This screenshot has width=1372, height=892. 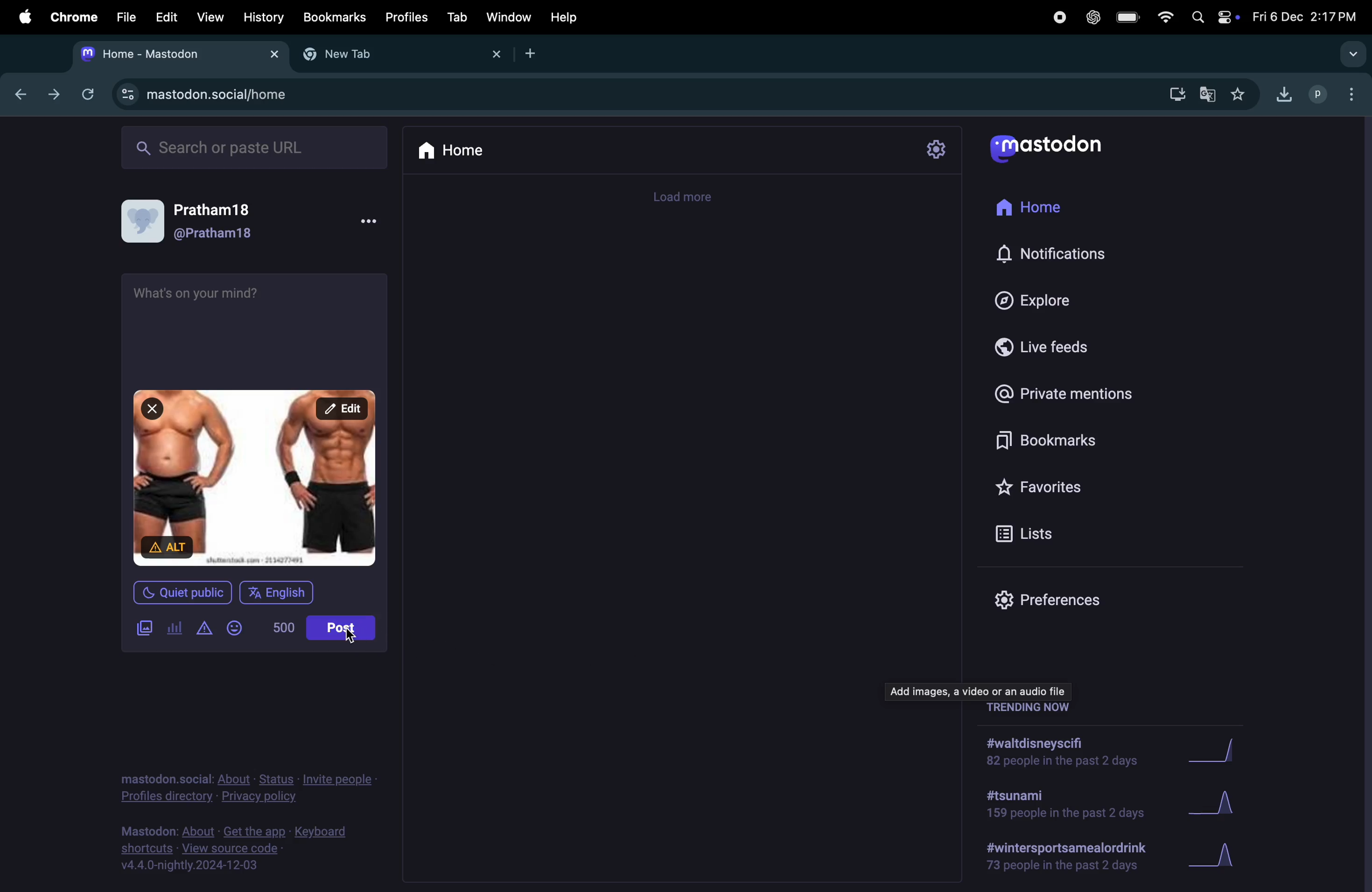 What do you see at coordinates (208, 16) in the screenshot?
I see `view` at bounding box center [208, 16].